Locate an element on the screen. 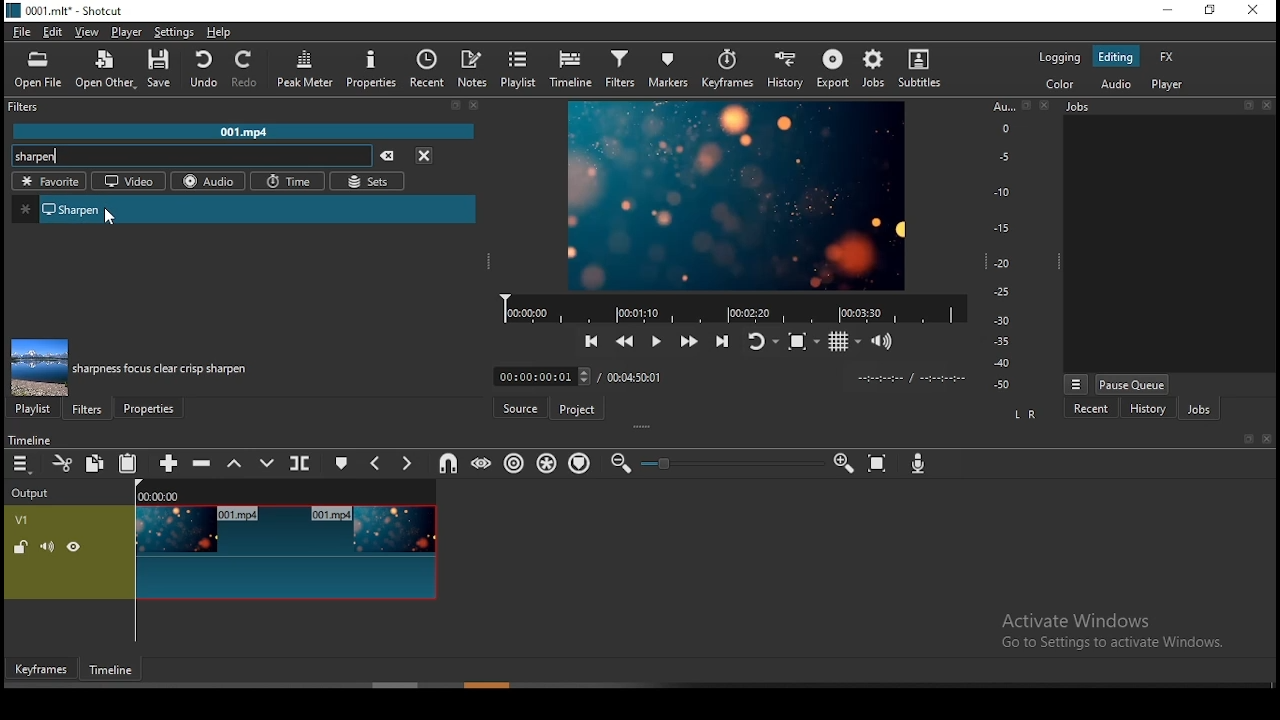  snap is located at coordinates (444, 464).